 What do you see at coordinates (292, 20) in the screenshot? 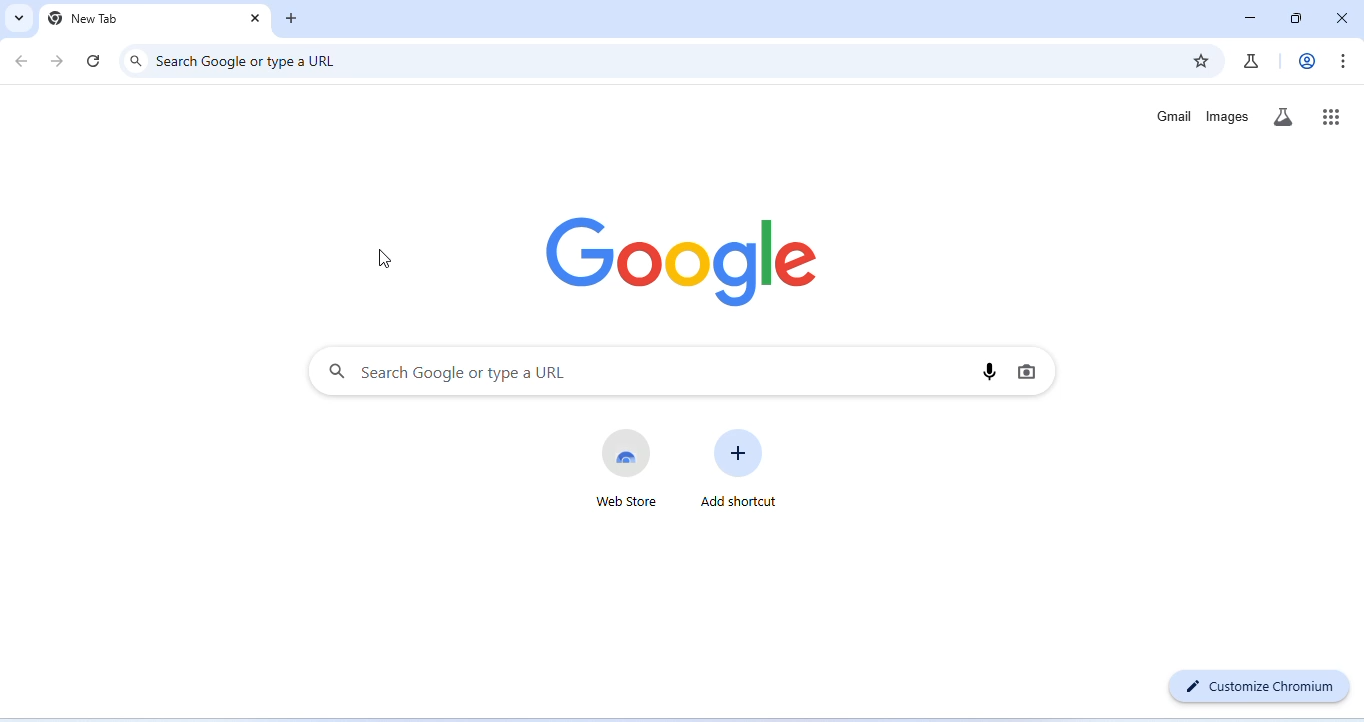
I see `add new tab` at bounding box center [292, 20].